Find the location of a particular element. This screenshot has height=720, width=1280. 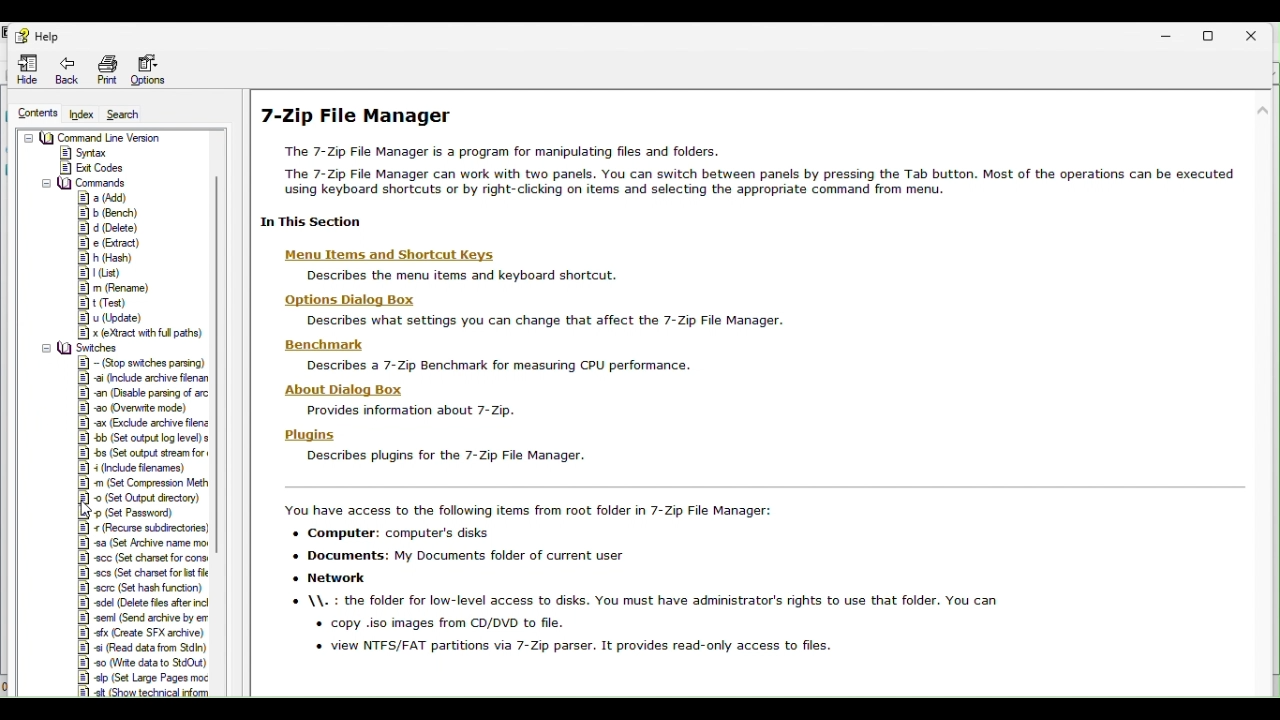

delete  is located at coordinates (109, 228).